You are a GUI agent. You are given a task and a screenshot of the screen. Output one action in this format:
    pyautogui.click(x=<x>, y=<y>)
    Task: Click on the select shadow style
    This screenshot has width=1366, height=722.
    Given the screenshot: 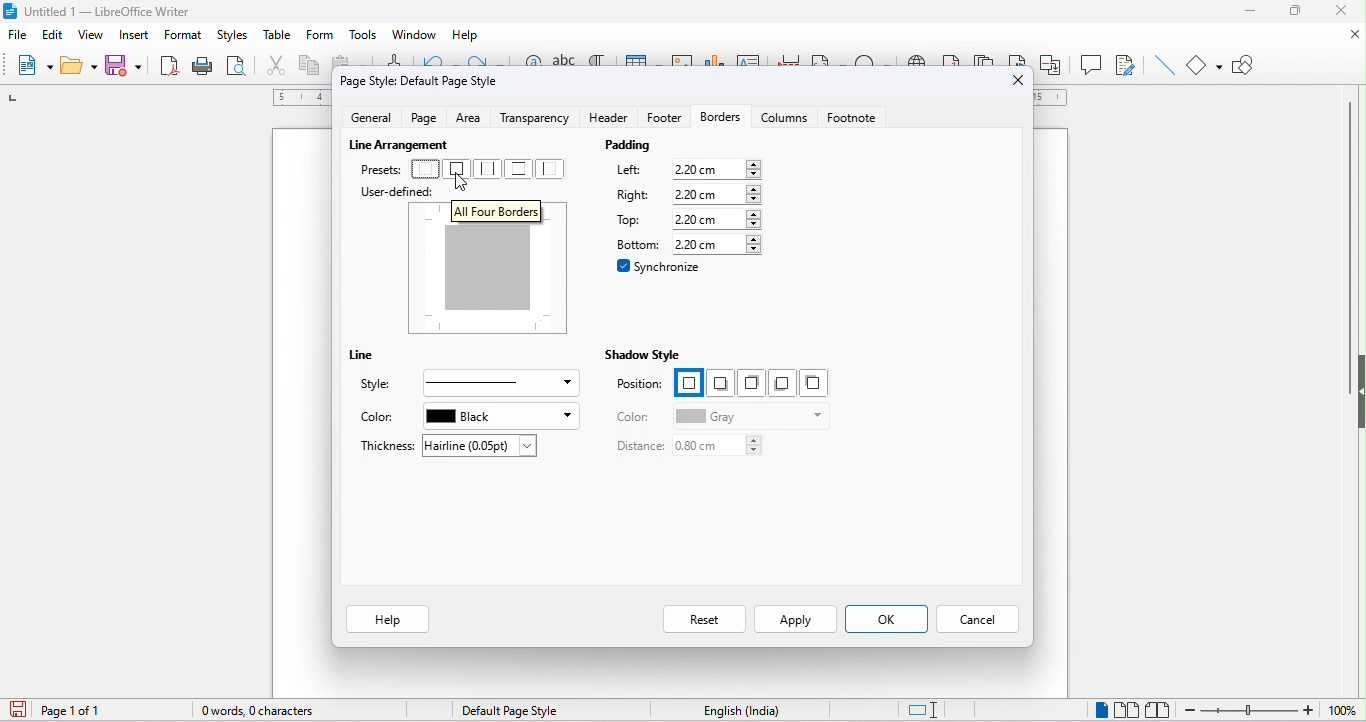 What is the action you would take?
    pyautogui.click(x=748, y=383)
    